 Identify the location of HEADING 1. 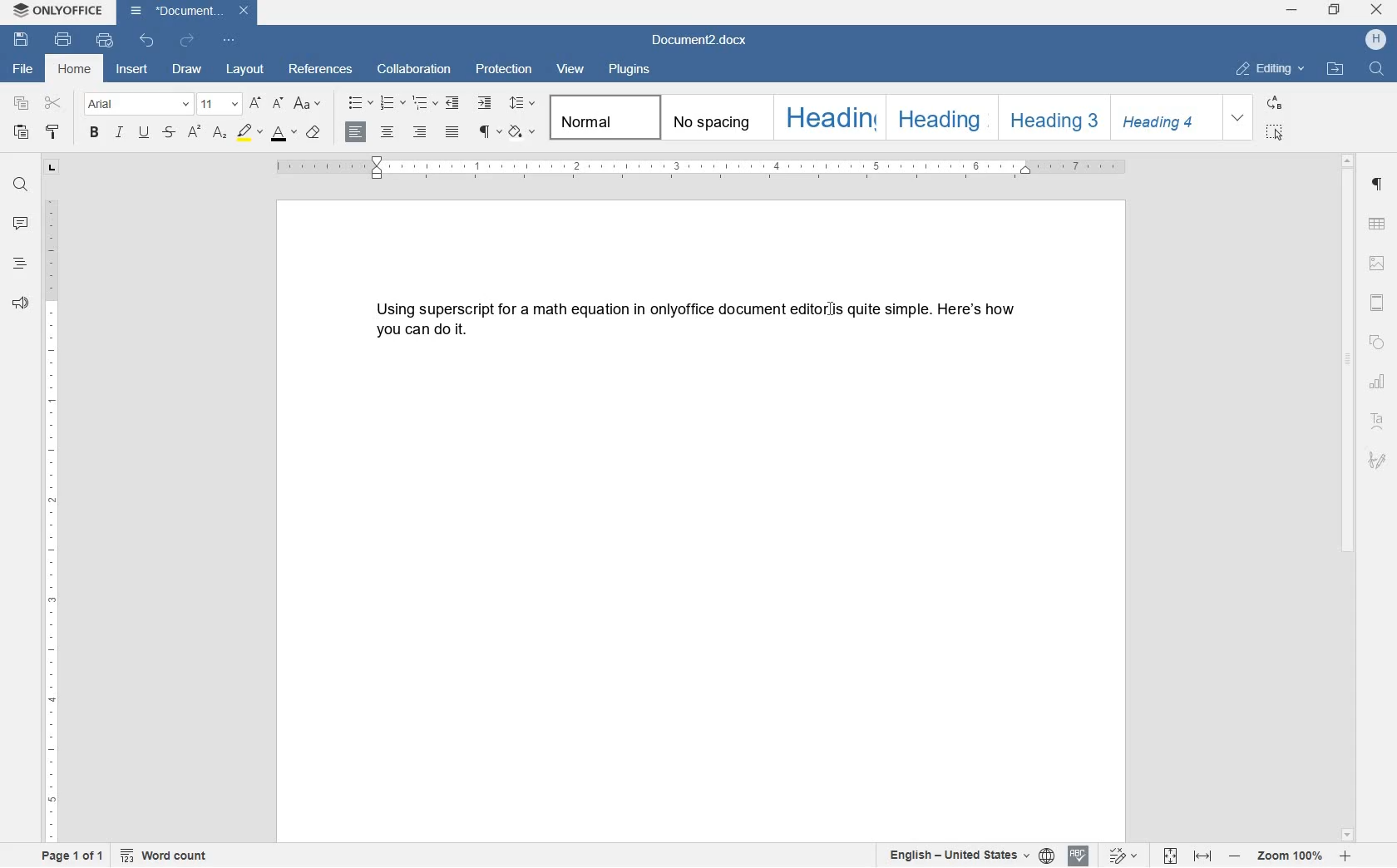
(827, 118).